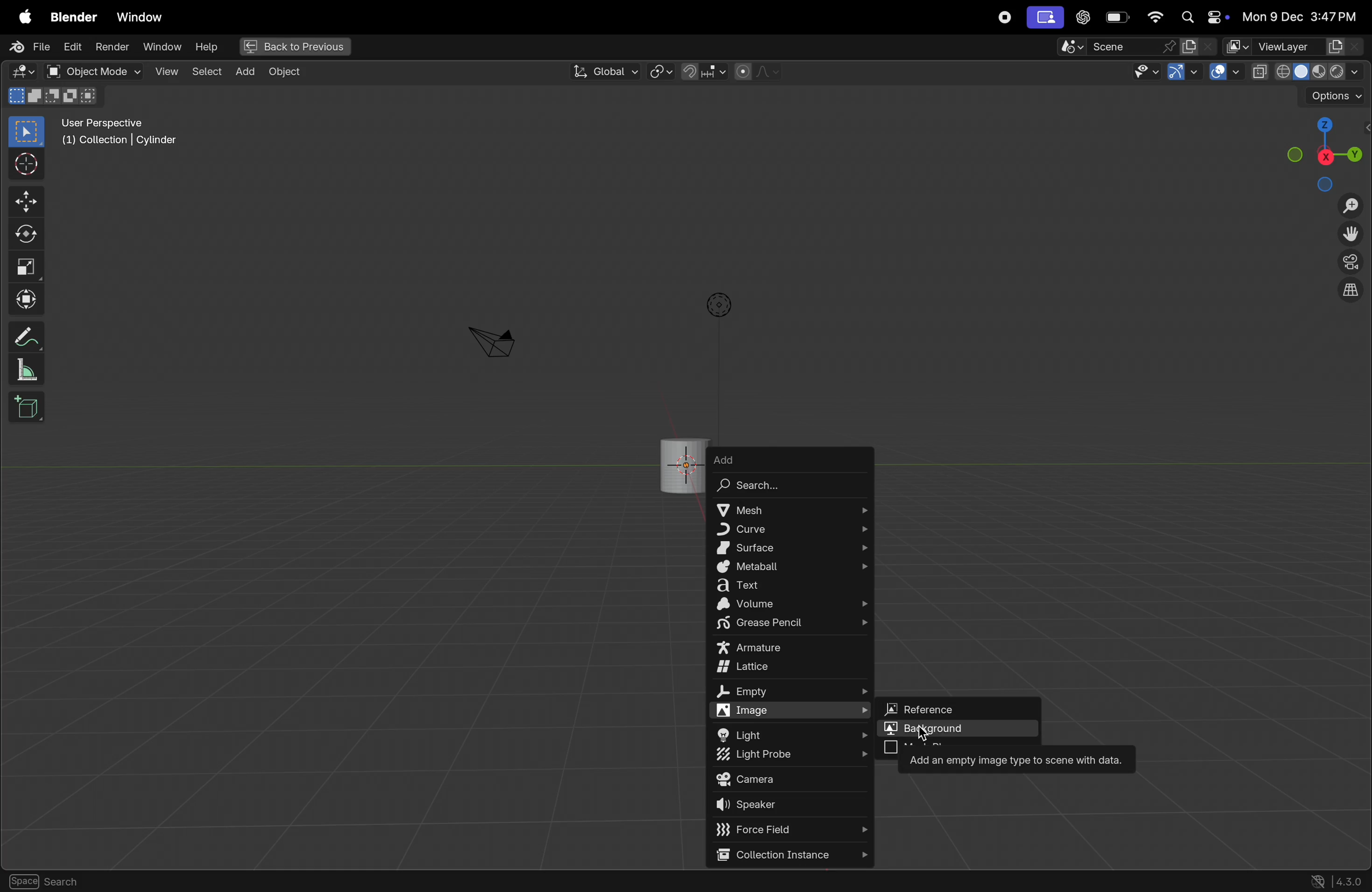 The width and height of the screenshot is (1372, 892). Describe the element at coordinates (1326, 151) in the screenshot. I see `view point` at that location.